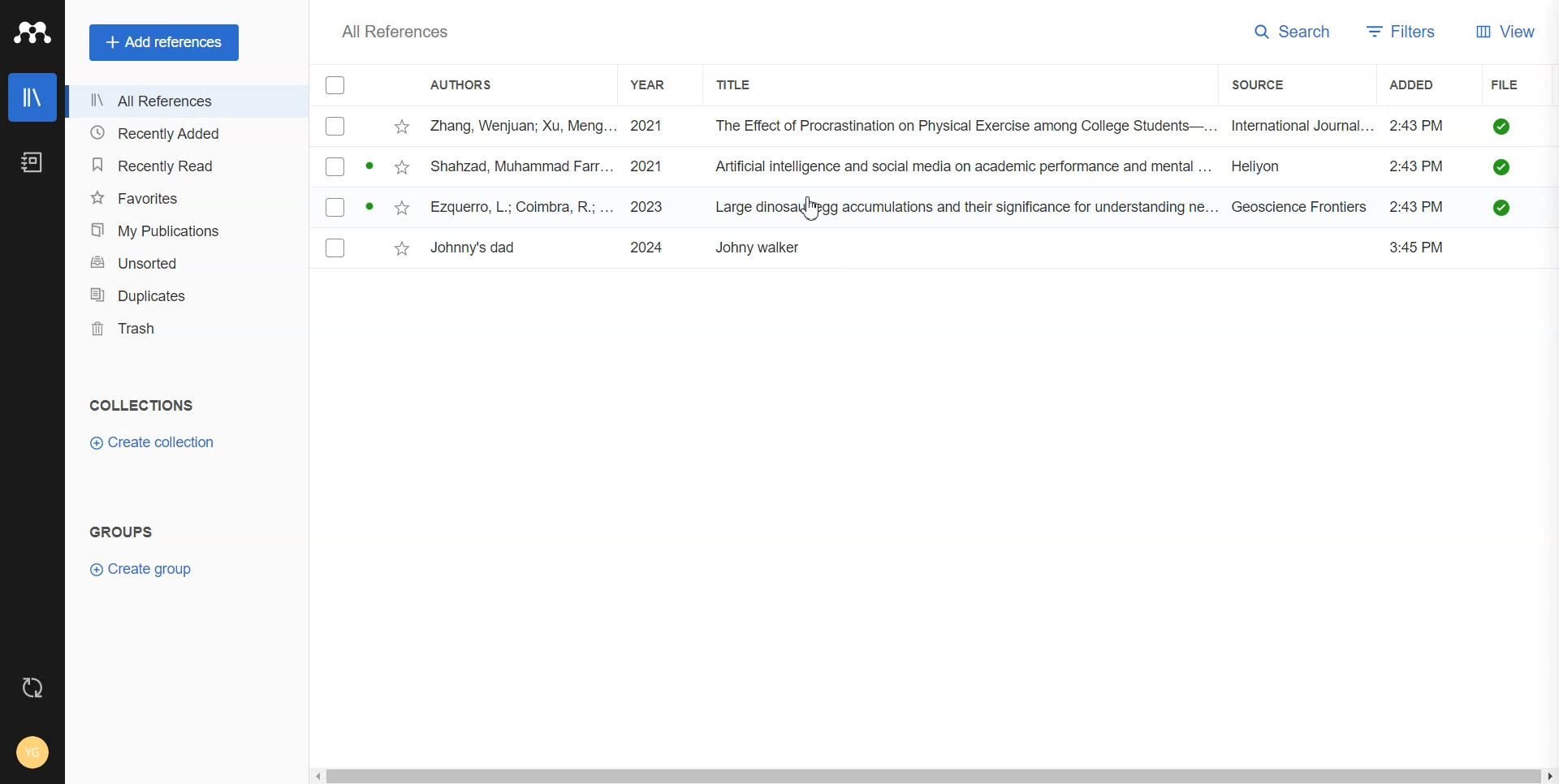 Image resolution: width=1559 pixels, height=784 pixels. What do you see at coordinates (400, 248) in the screenshot?
I see `Toggle favorites` at bounding box center [400, 248].